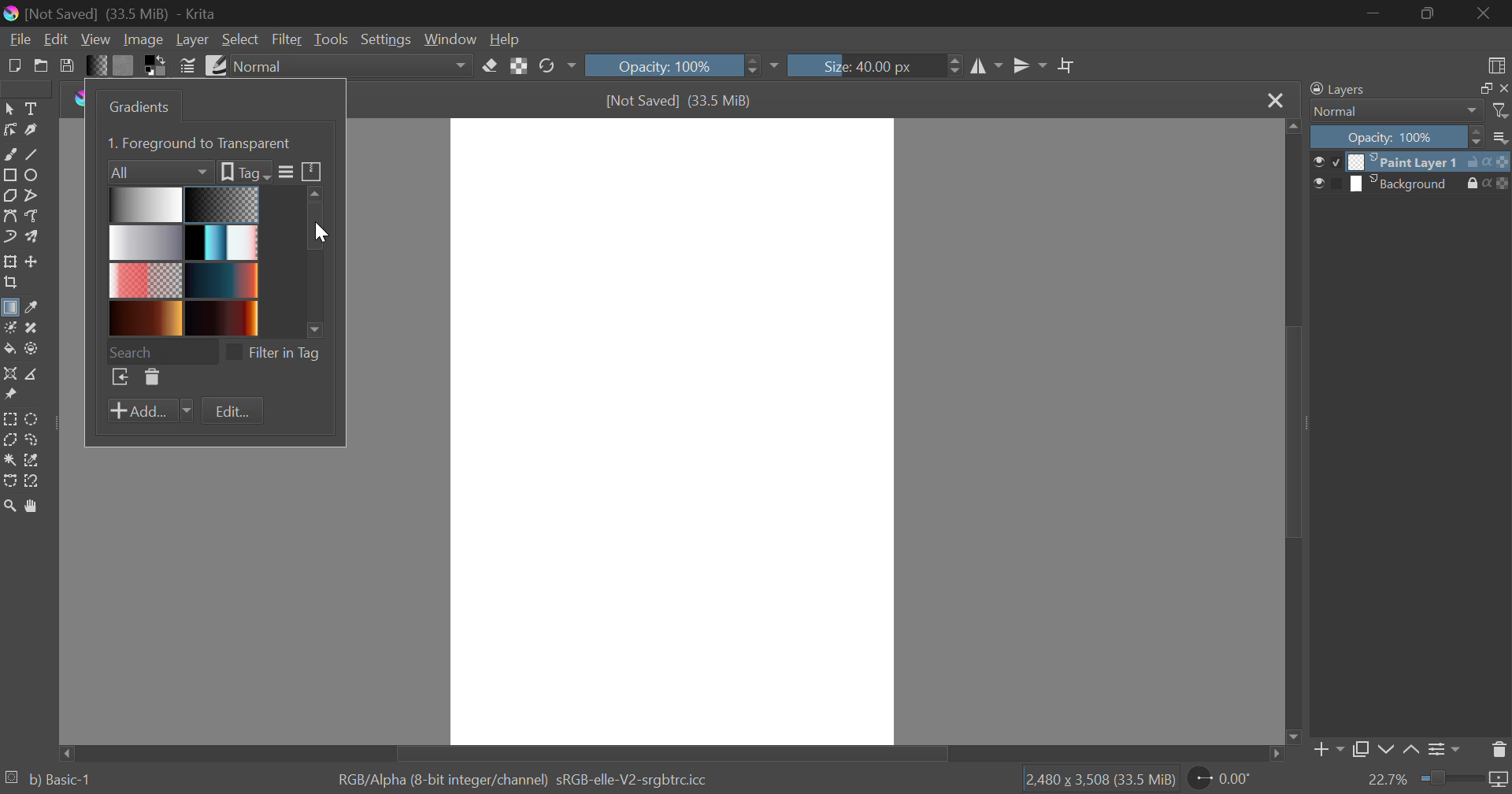  What do you see at coordinates (284, 173) in the screenshot?
I see `Filter Menu` at bounding box center [284, 173].